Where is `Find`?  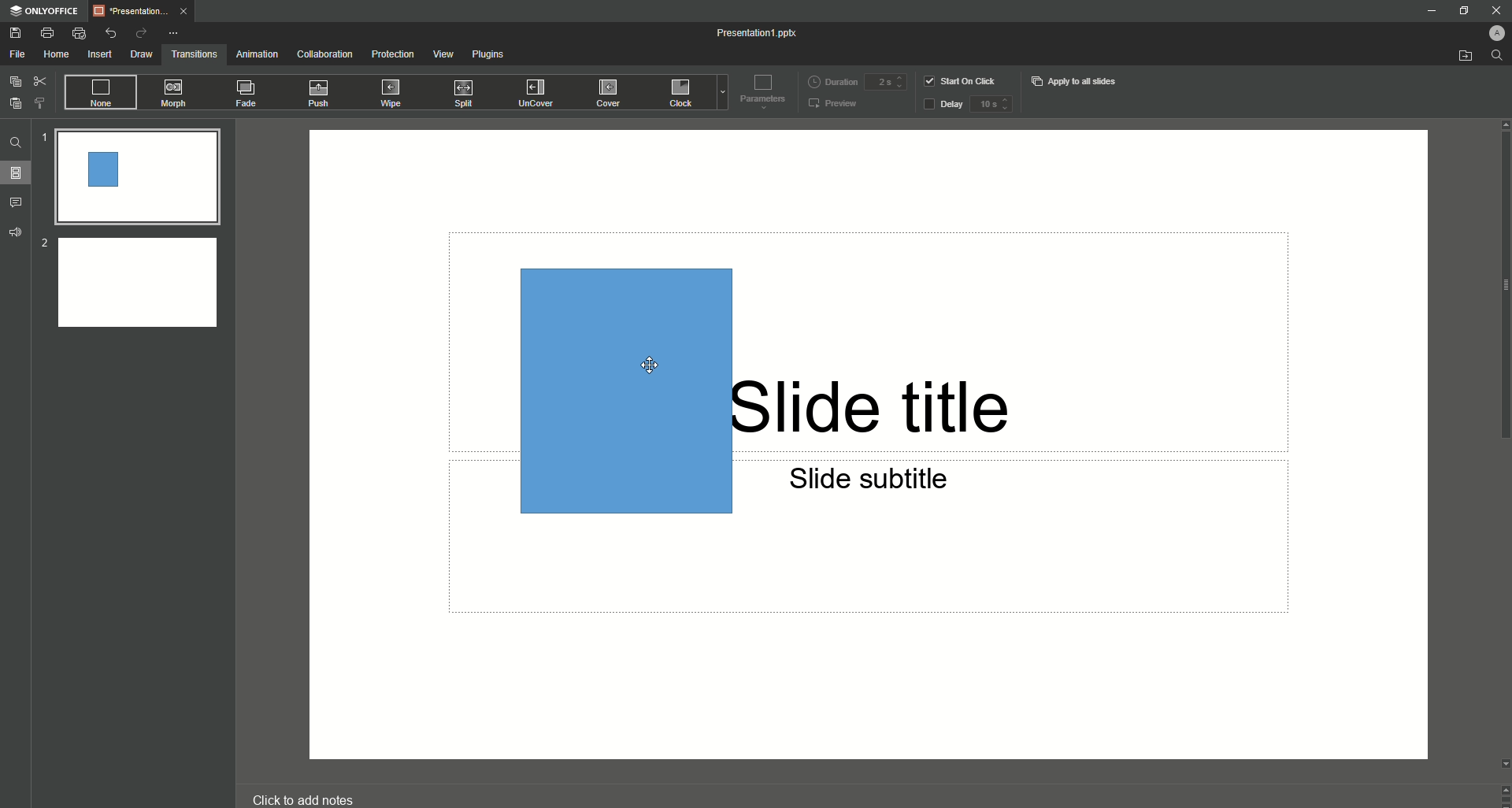 Find is located at coordinates (1497, 56).